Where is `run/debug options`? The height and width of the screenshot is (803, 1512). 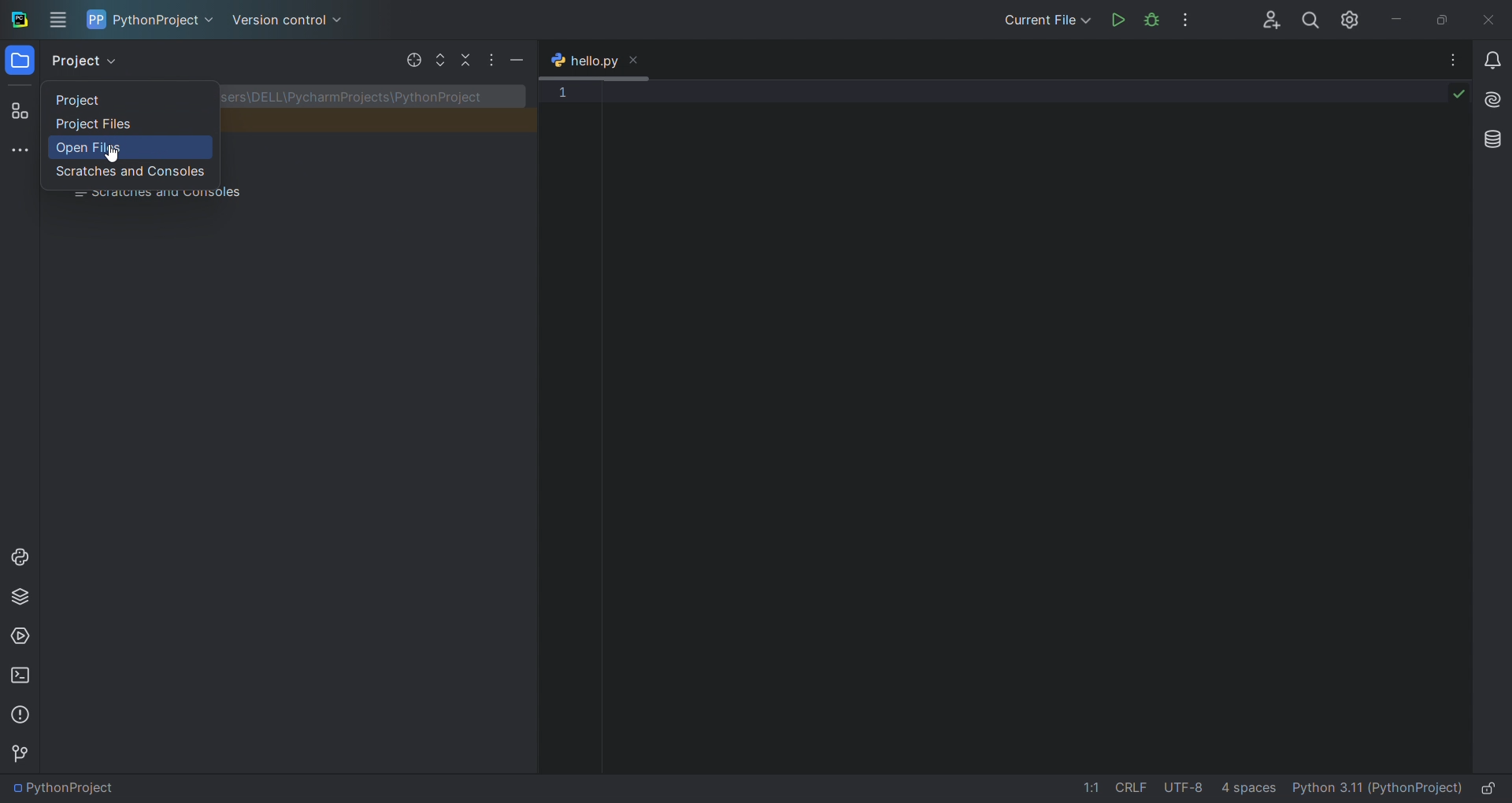
run/debug options is located at coordinates (1040, 21).